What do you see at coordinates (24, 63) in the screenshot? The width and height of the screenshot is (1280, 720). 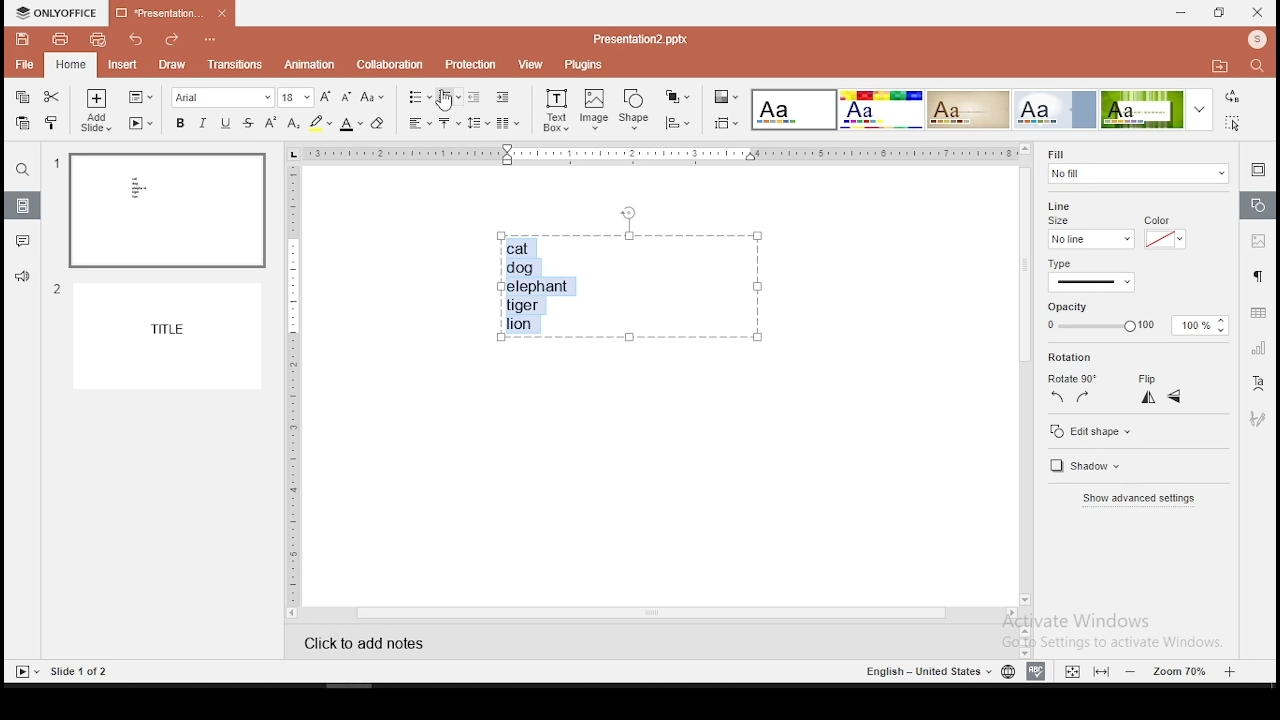 I see `file` at bounding box center [24, 63].